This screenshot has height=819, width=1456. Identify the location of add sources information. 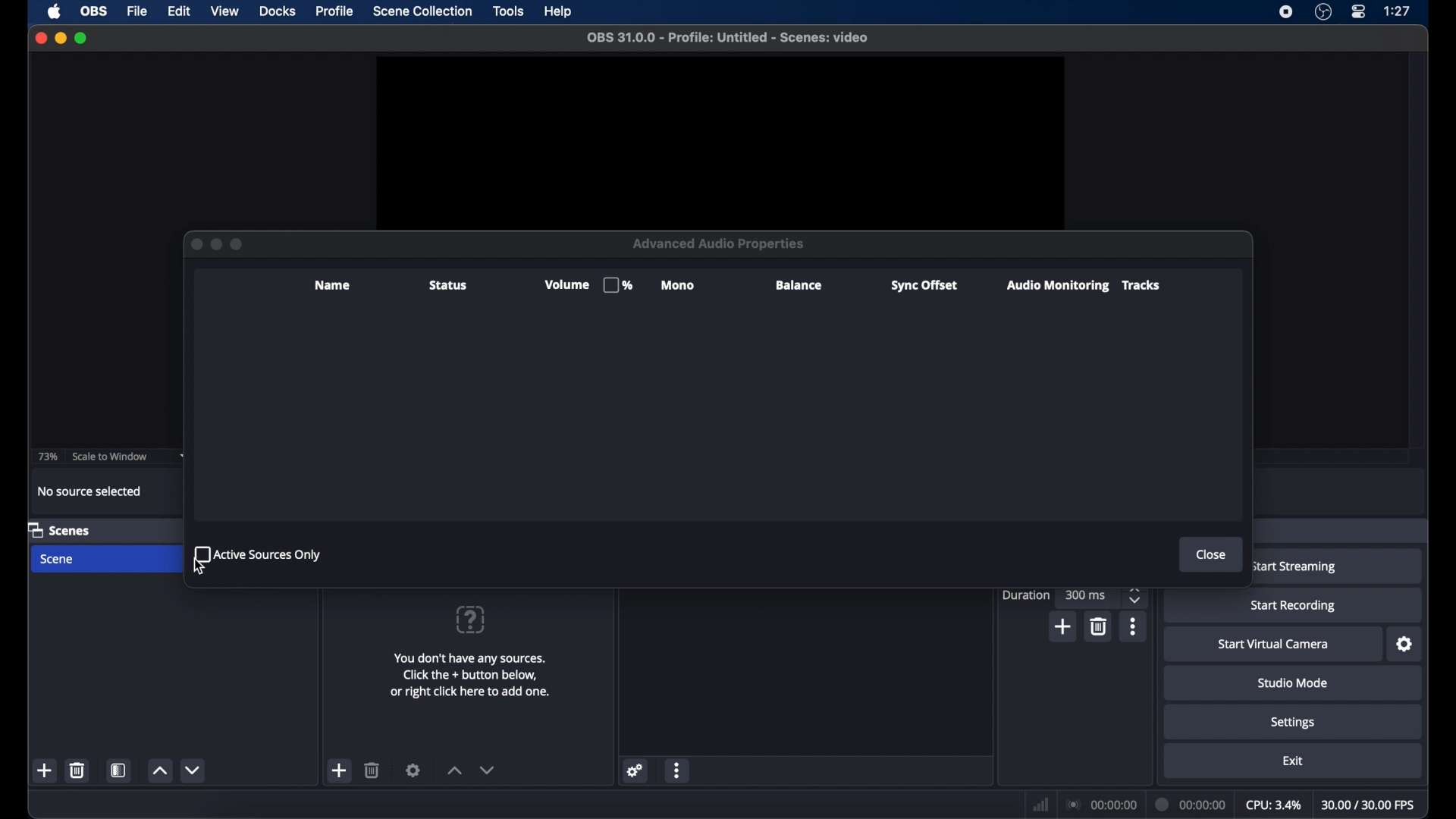
(472, 675).